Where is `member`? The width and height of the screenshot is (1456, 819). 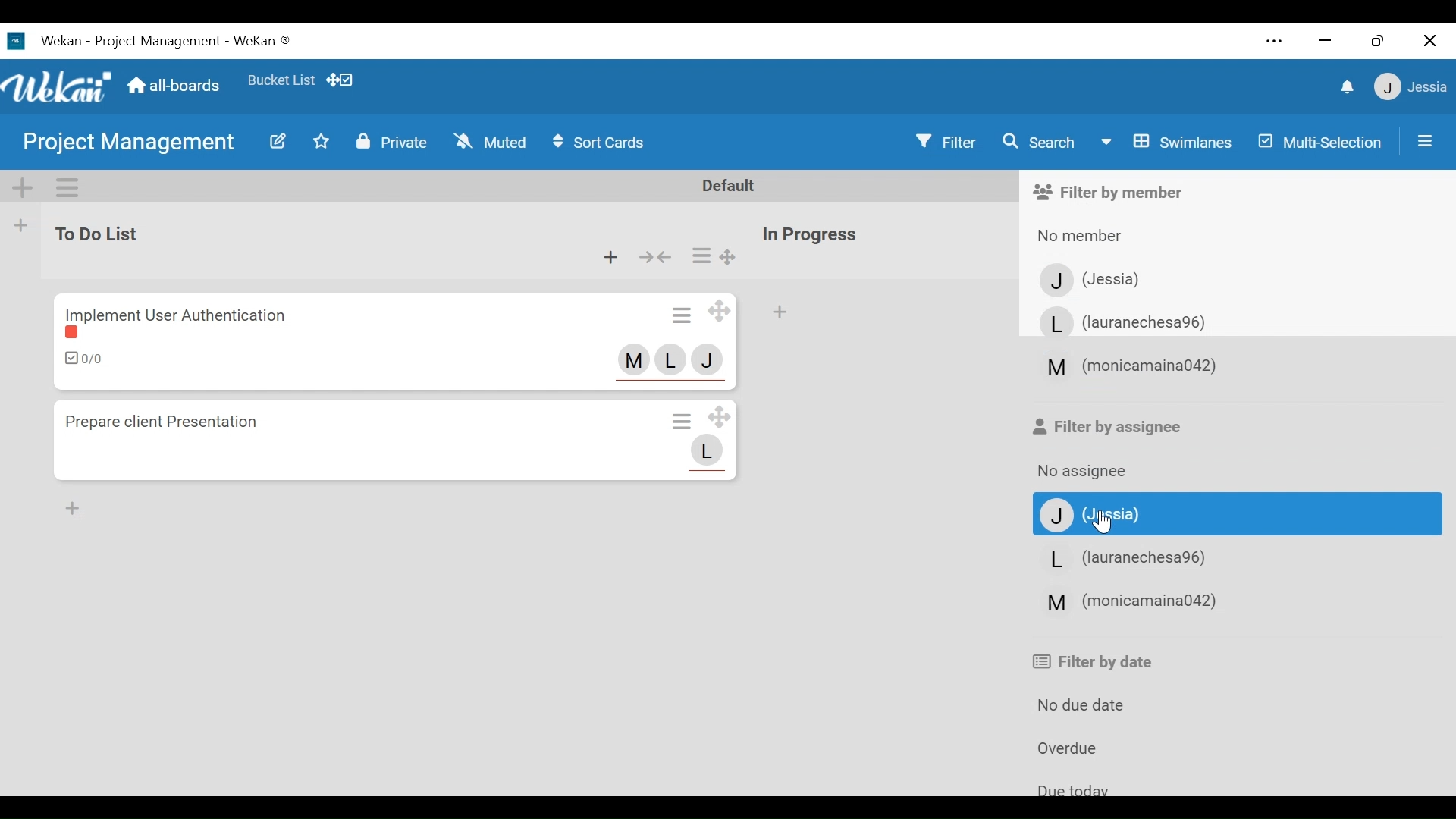
member is located at coordinates (673, 358).